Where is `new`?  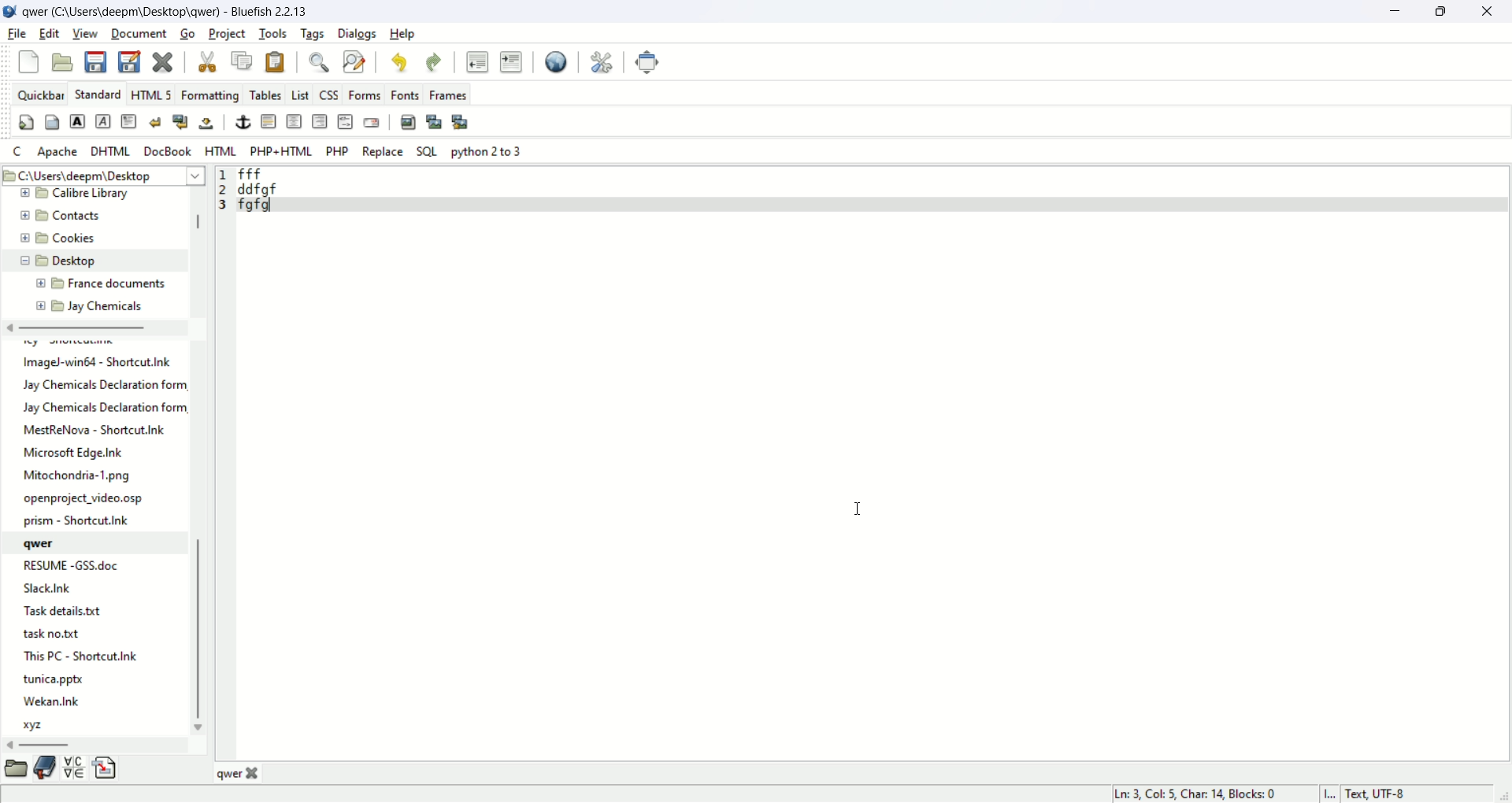 new is located at coordinates (29, 61).